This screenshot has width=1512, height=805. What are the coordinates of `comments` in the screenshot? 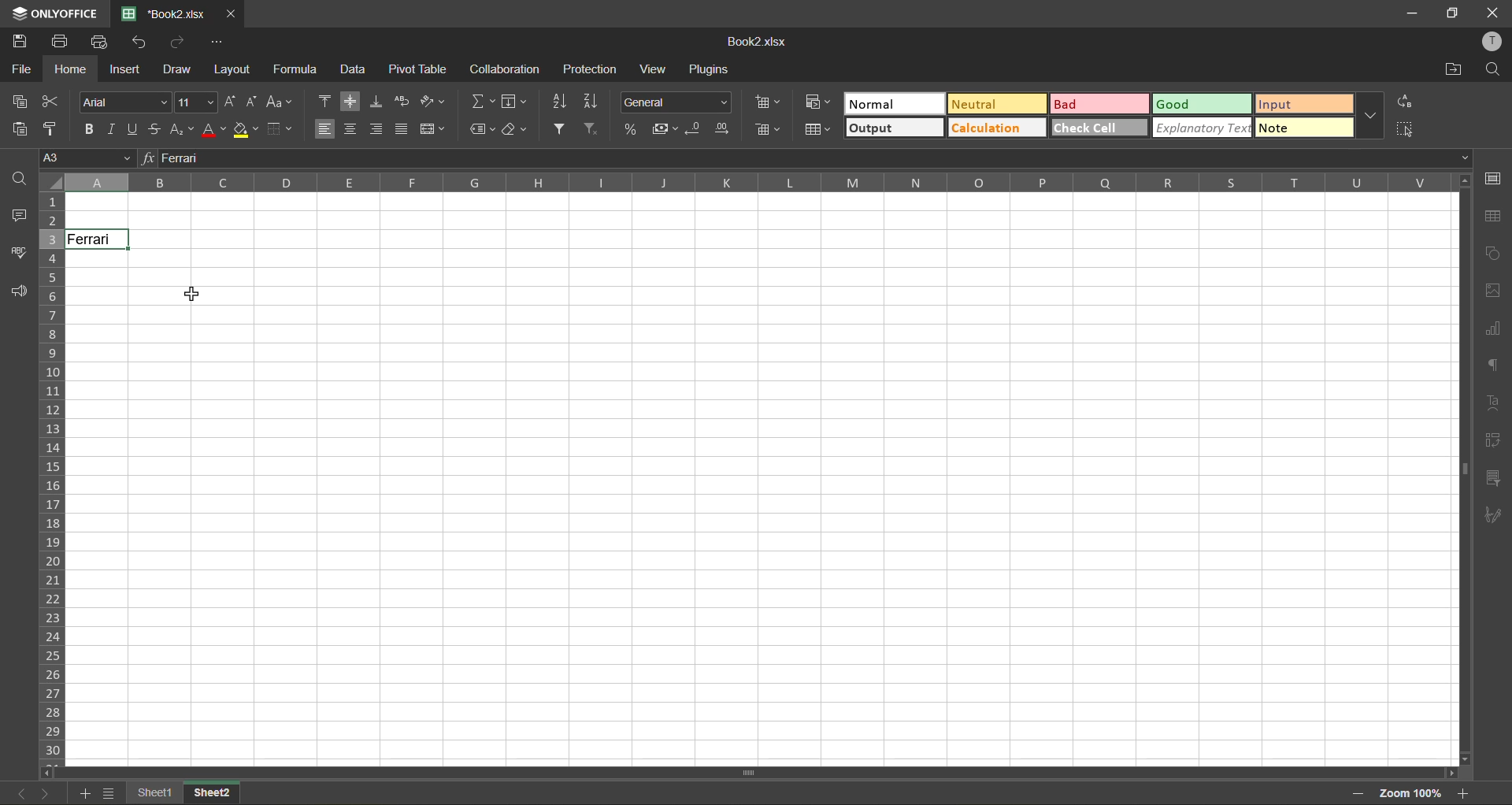 It's located at (15, 215).